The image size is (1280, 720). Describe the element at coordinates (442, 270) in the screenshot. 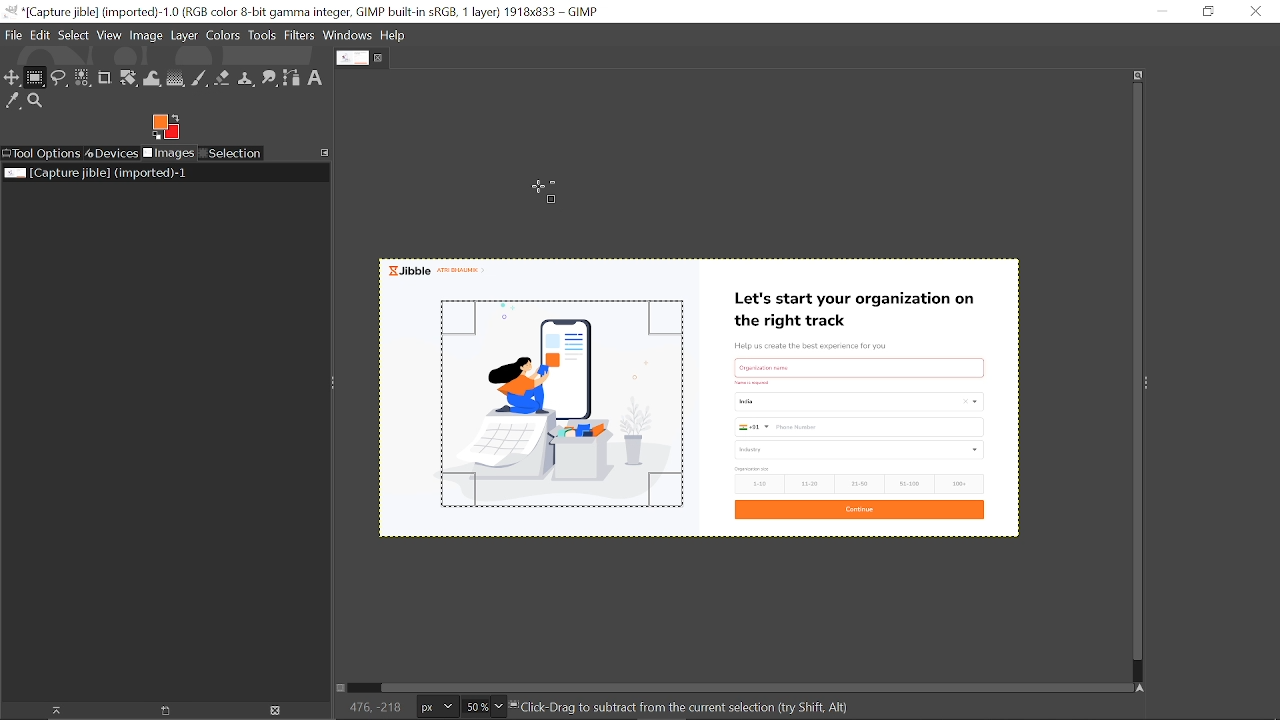

I see `Jibble` at that location.